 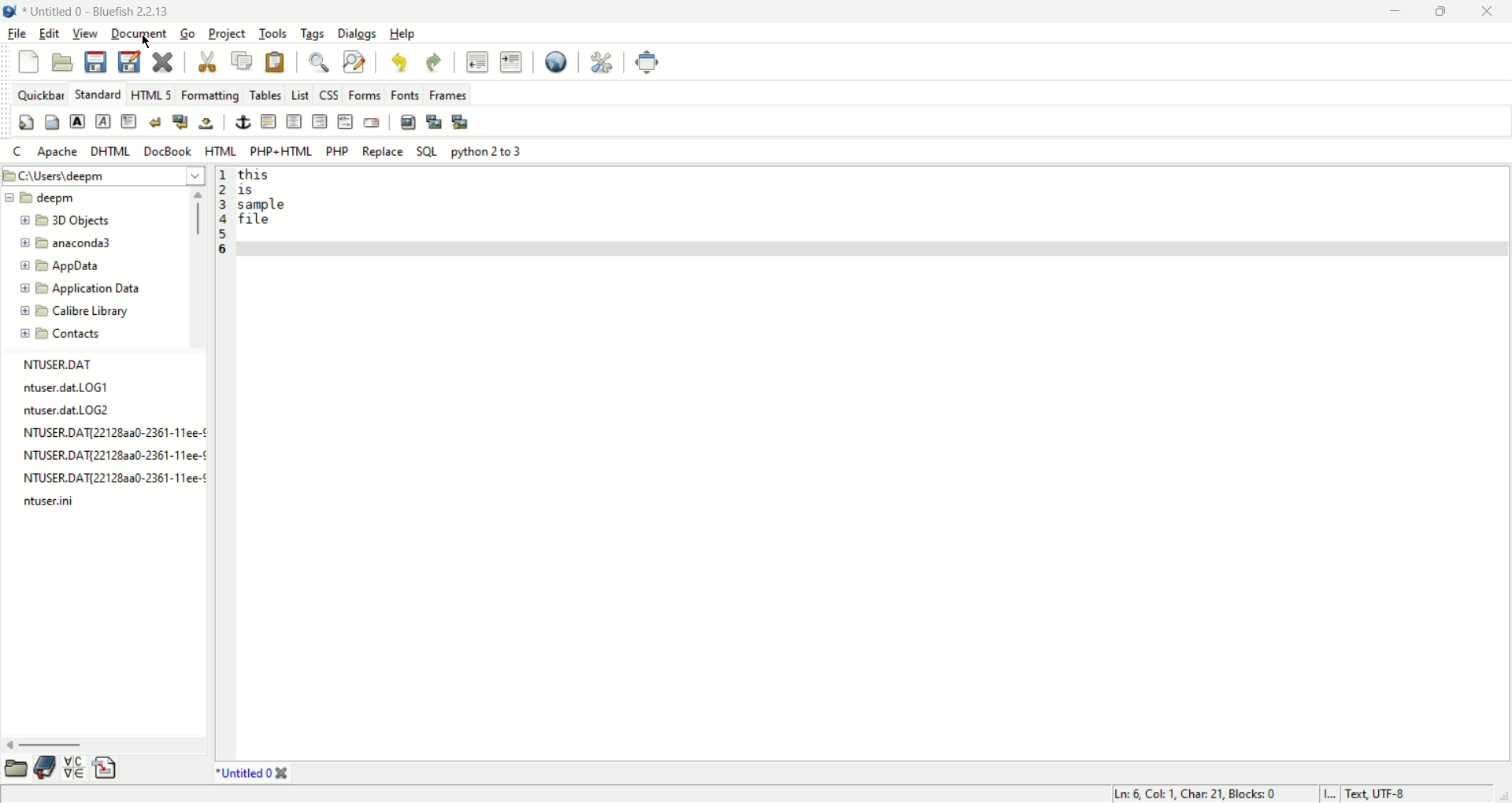 What do you see at coordinates (24, 123) in the screenshot?
I see `quickstart` at bounding box center [24, 123].